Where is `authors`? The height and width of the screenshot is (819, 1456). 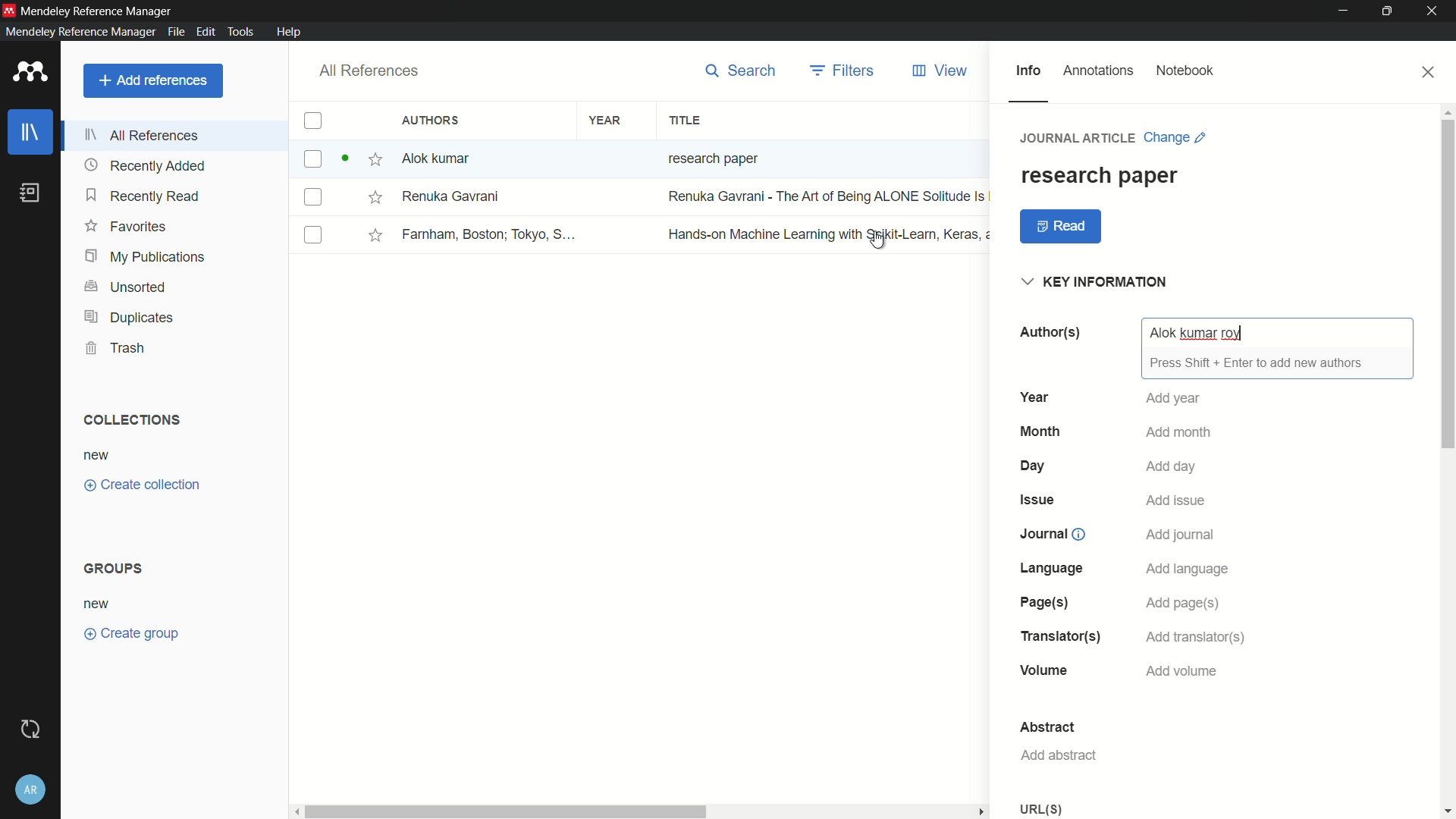 authors is located at coordinates (1049, 332).